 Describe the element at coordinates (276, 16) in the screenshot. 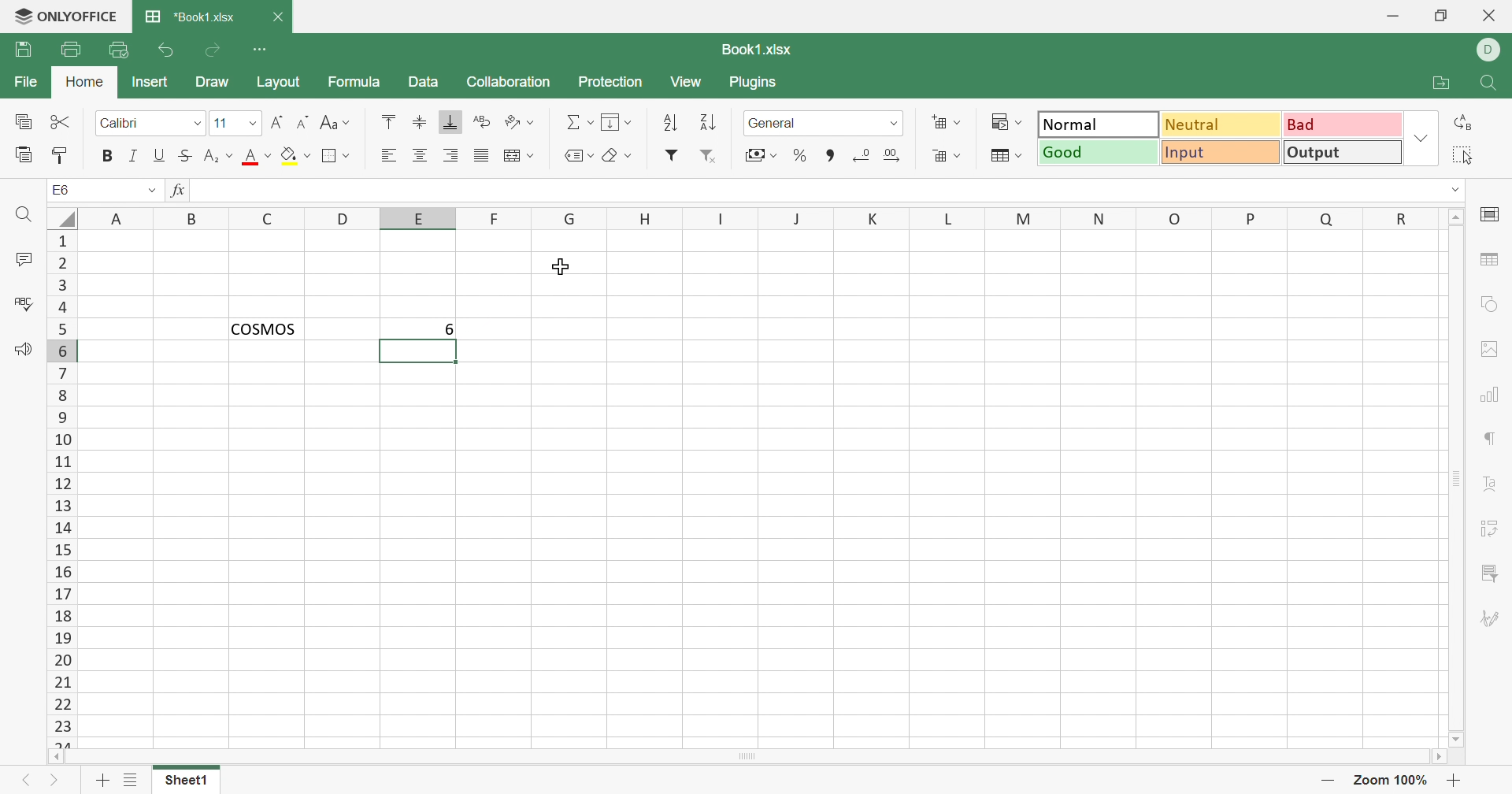

I see `Close` at that location.